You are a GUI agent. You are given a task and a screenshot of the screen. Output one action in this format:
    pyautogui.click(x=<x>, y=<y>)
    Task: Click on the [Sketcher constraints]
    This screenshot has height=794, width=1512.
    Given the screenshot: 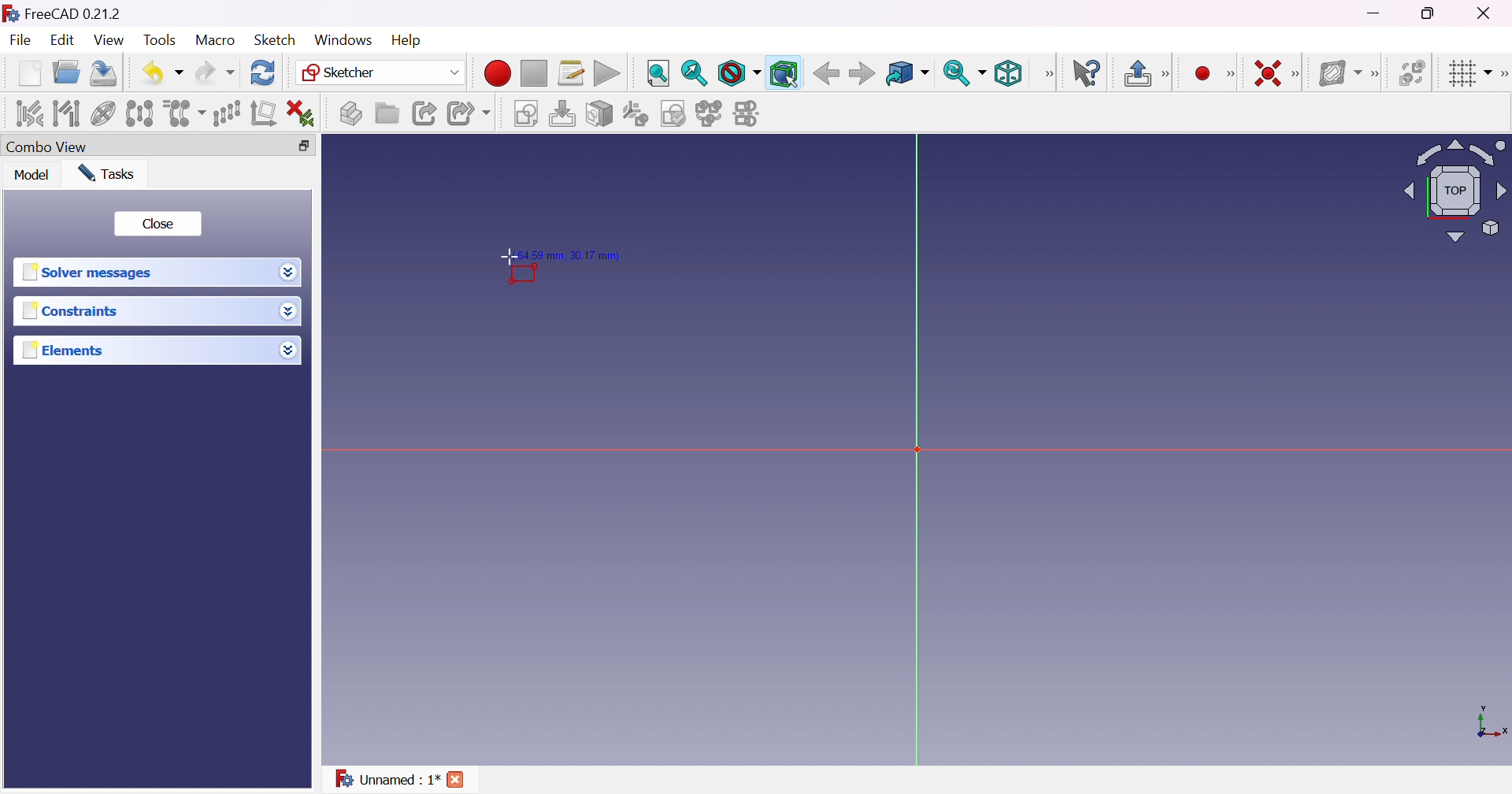 What is the action you would take?
    pyautogui.click(x=1299, y=75)
    